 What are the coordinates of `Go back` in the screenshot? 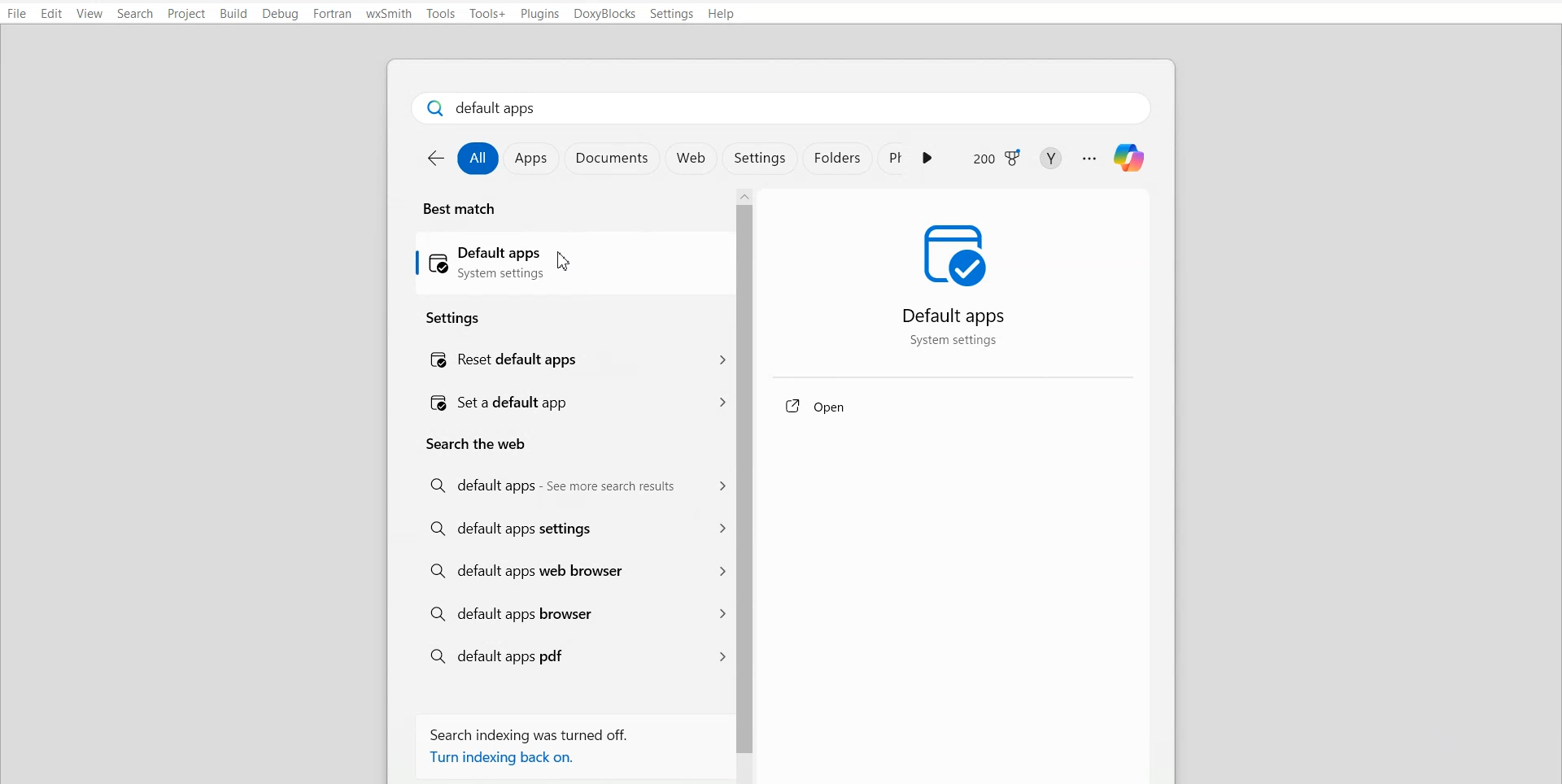 It's located at (434, 159).